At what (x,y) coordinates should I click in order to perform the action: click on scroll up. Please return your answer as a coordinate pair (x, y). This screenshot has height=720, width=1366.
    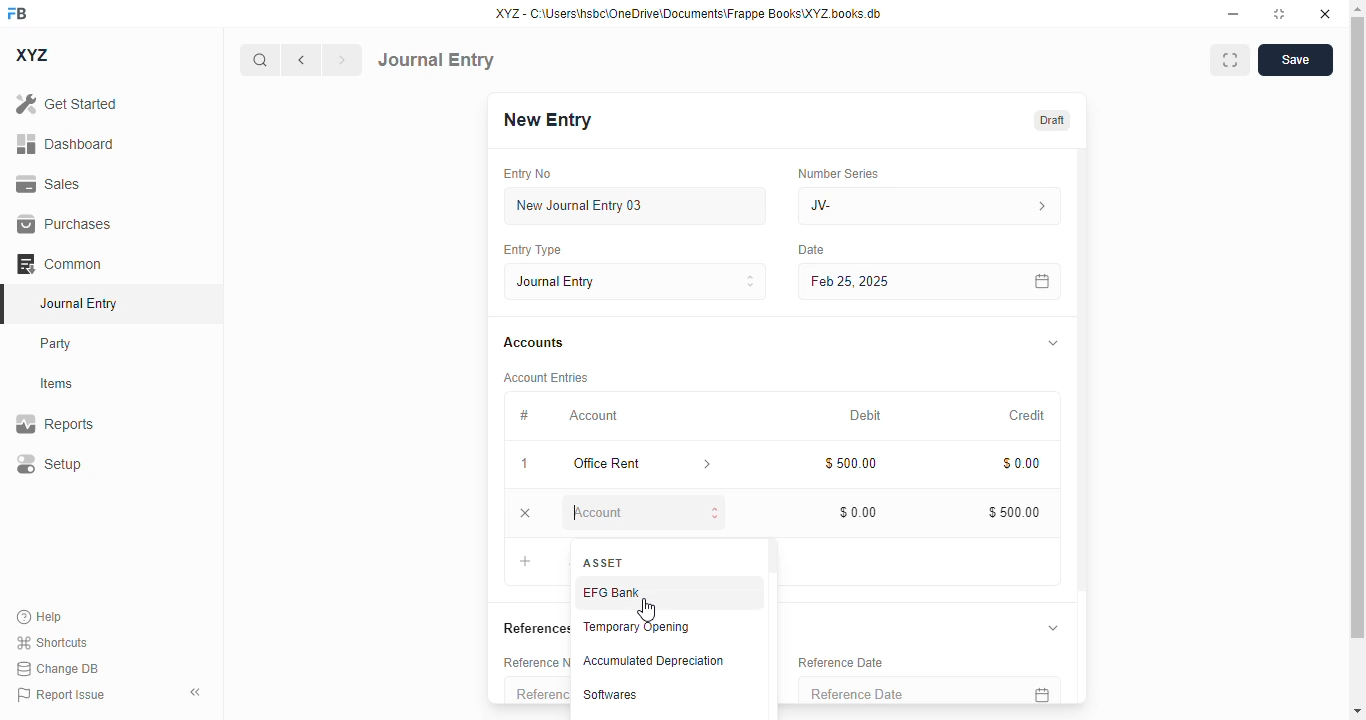
    Looking at the image, I should click on (1357, 10).